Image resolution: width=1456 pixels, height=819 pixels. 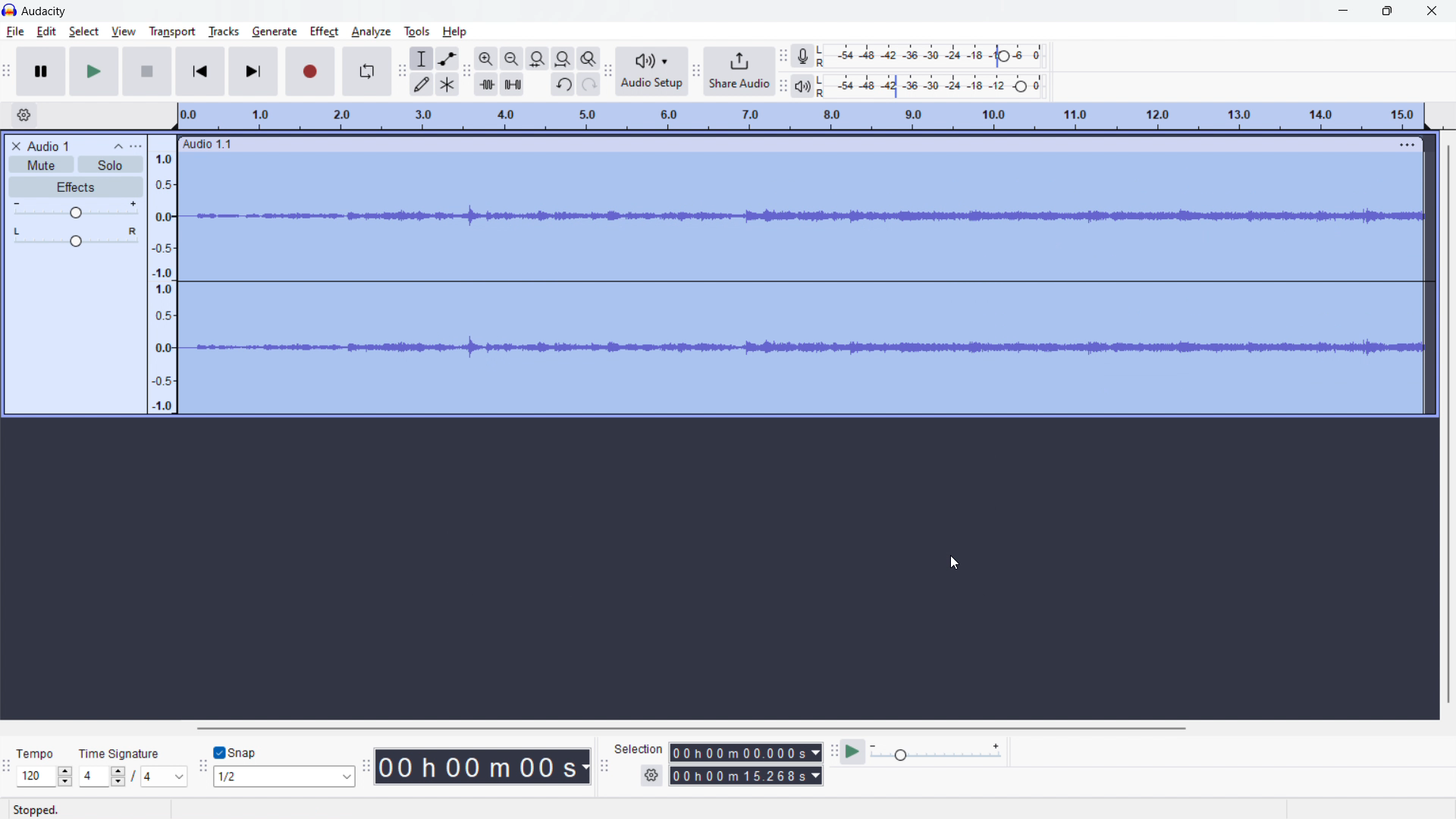 What do you see at coordinates (49, 10) in the screenshot?
I see `Audacity (title)` at bounding box center [49, 10].